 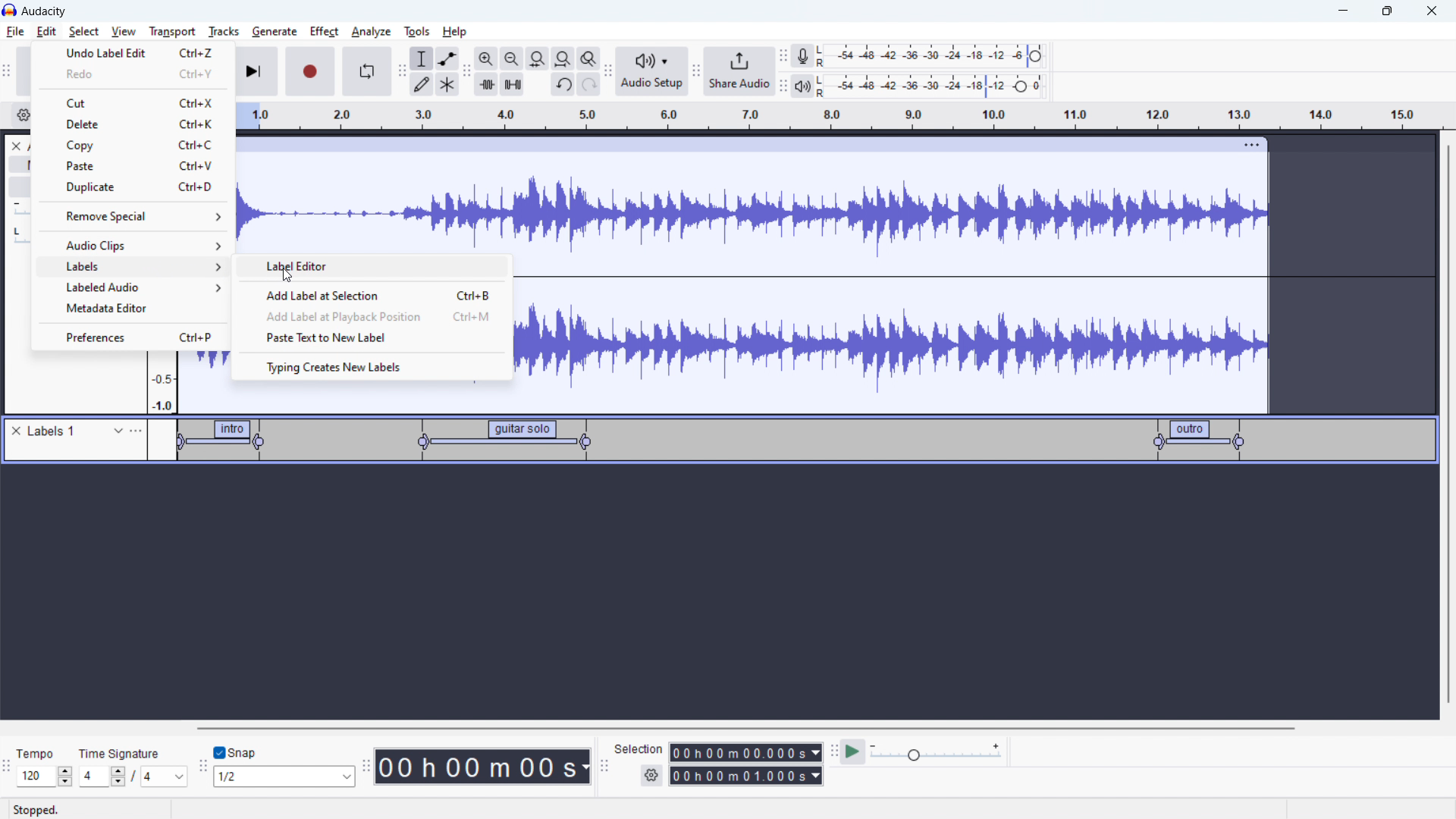 I want to click on expand, so click(x=118, y=431).